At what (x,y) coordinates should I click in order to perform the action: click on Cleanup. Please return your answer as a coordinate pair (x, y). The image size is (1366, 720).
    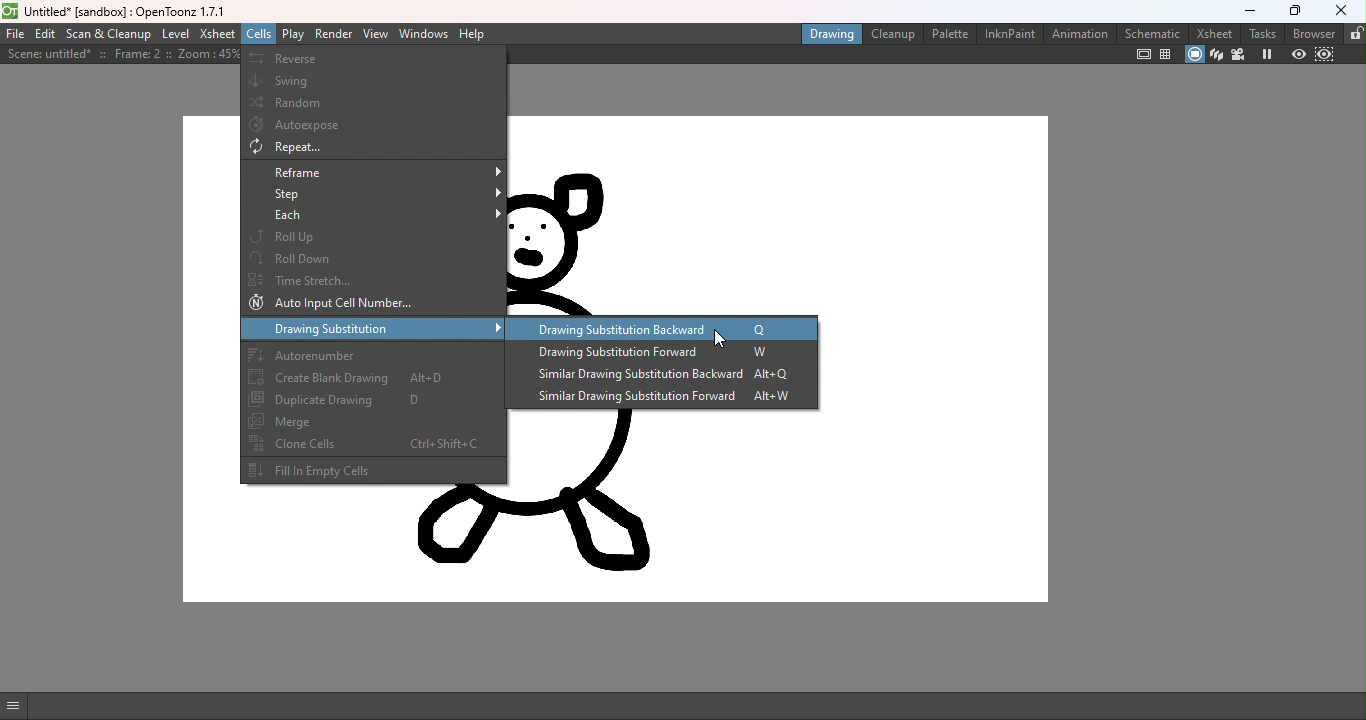
    Looking at the image, I should click on (895, 34).